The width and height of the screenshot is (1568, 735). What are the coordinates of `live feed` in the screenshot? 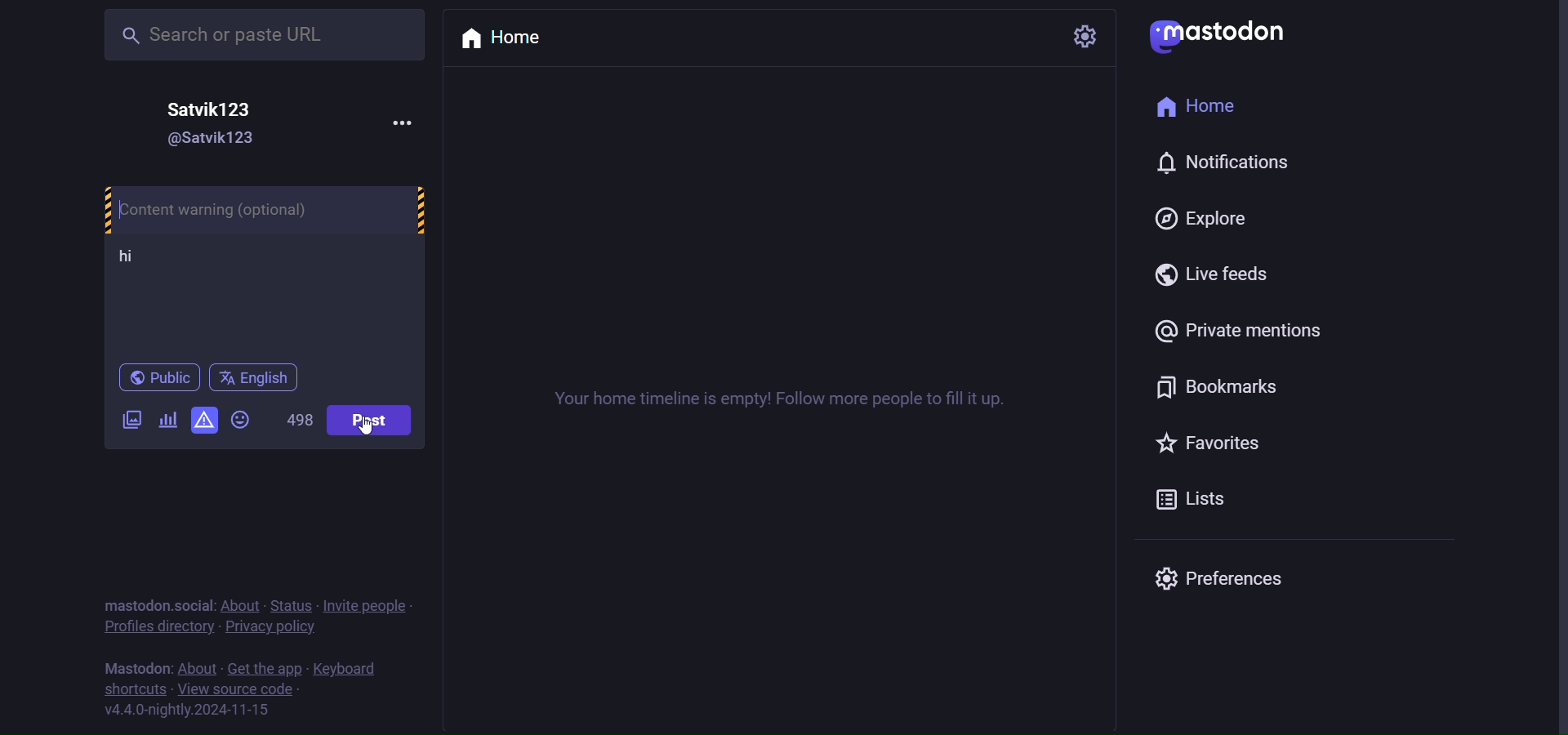 It's located at (1219, 276).